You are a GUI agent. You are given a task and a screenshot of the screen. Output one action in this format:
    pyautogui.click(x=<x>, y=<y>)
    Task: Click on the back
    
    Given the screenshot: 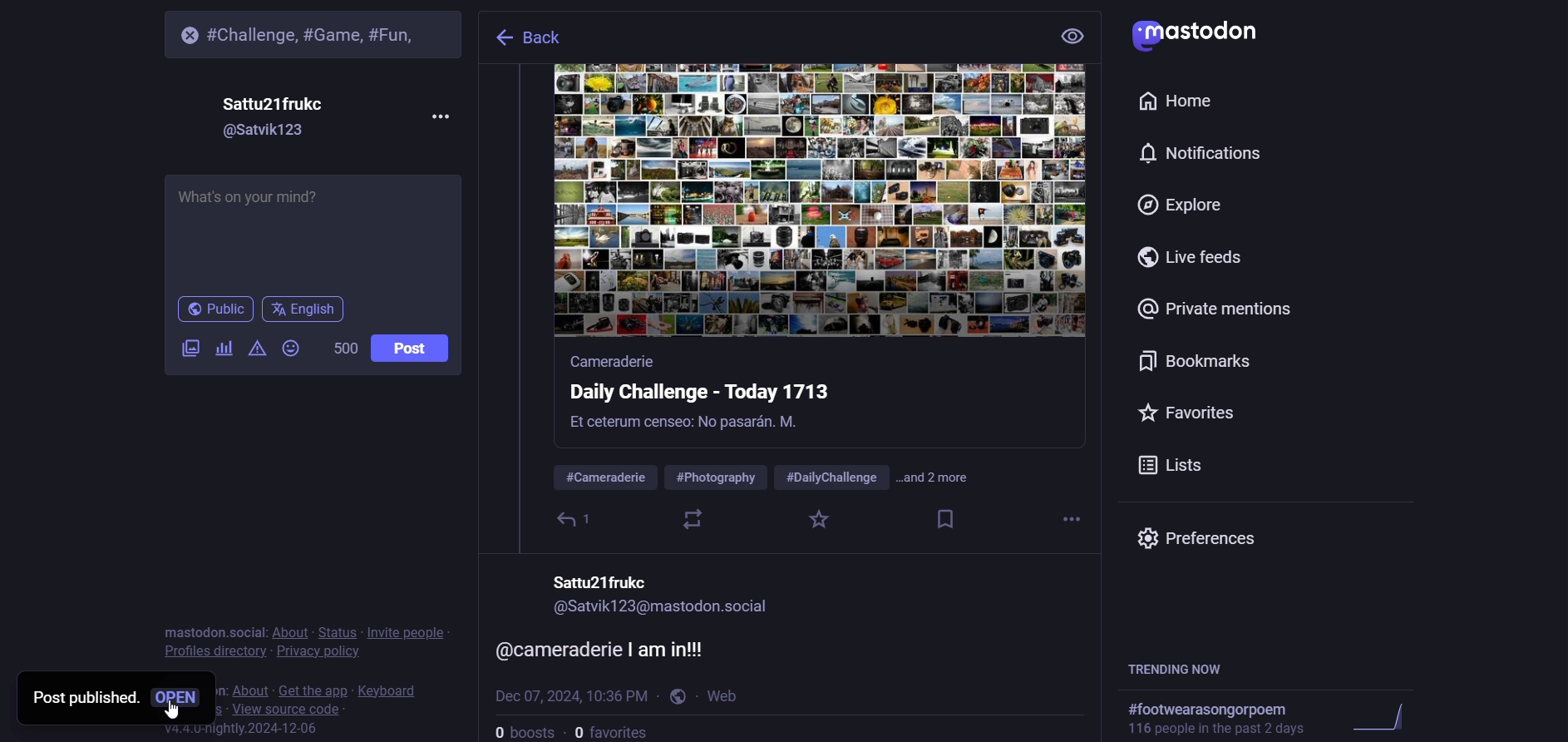 What is the action you would take?
    pyautogui.click(x=502, y=40)
    